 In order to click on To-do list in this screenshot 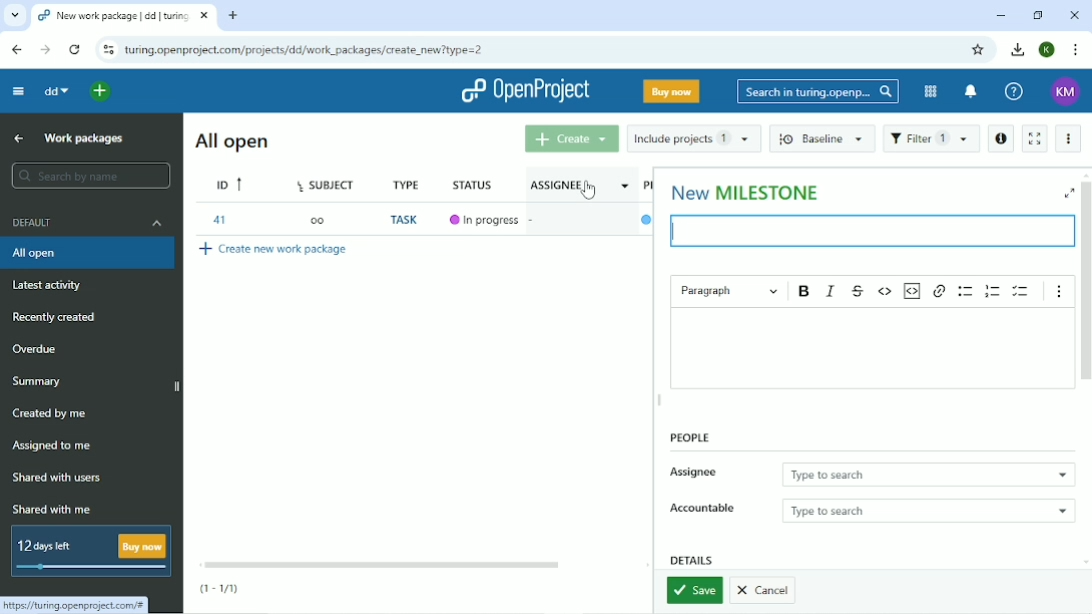, I will do `click(1022, 291)`.